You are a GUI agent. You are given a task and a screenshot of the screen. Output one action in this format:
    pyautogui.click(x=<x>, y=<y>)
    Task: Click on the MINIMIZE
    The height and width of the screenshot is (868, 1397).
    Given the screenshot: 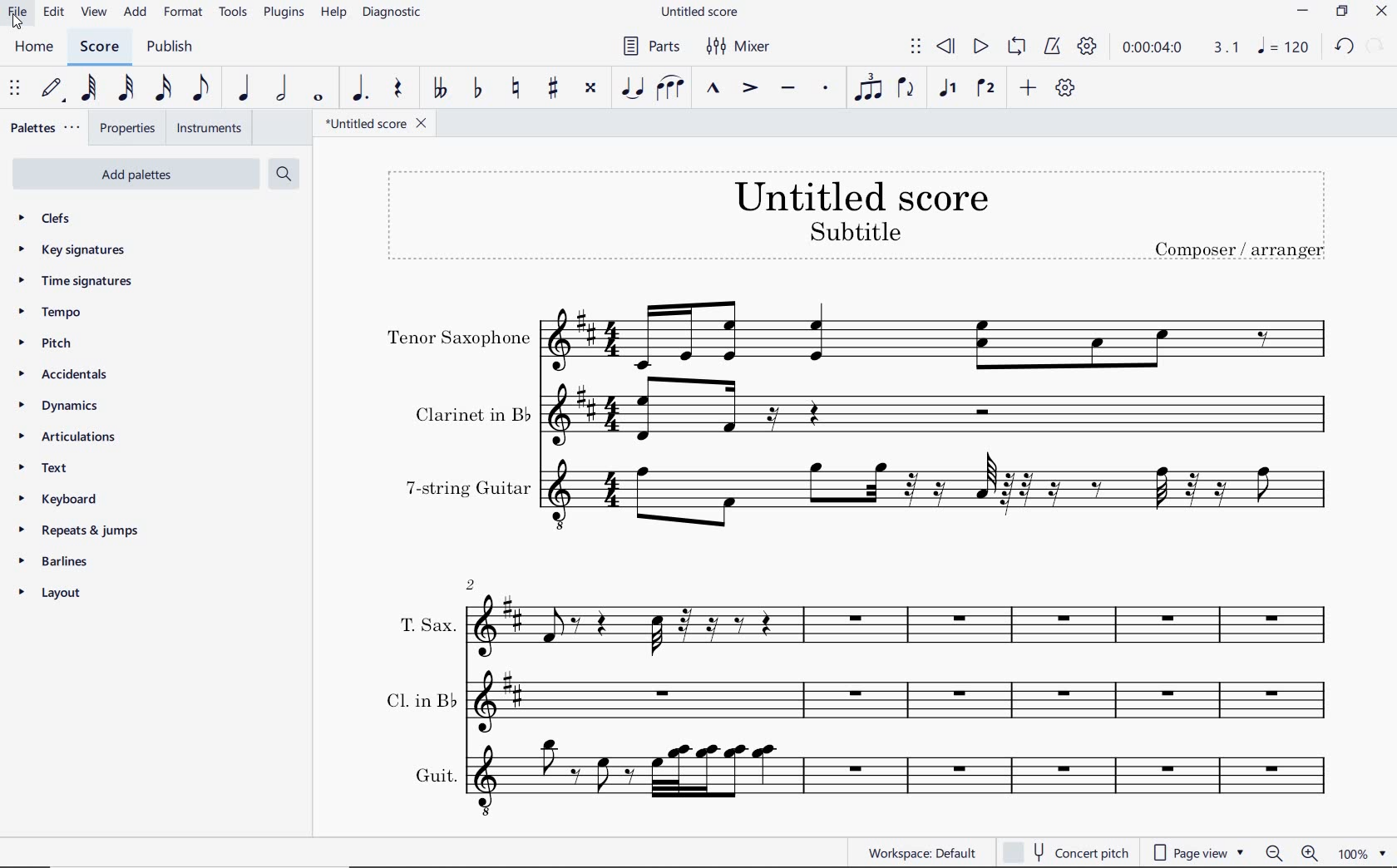 What is the action you would take?
    pyautogui.click(x=1302, y=12)
    